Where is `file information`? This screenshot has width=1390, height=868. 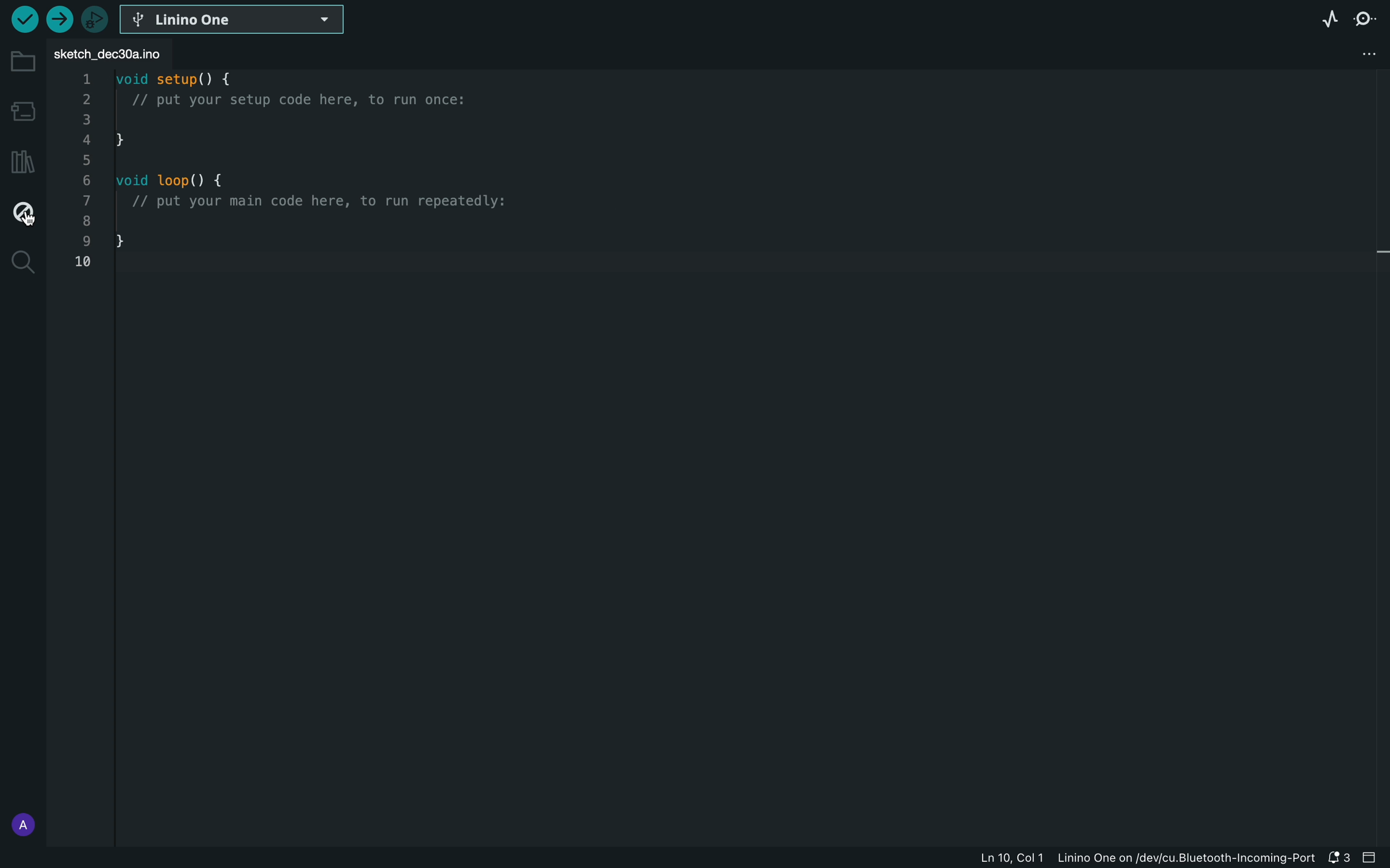 file information is located at coordinates (1142, 859).